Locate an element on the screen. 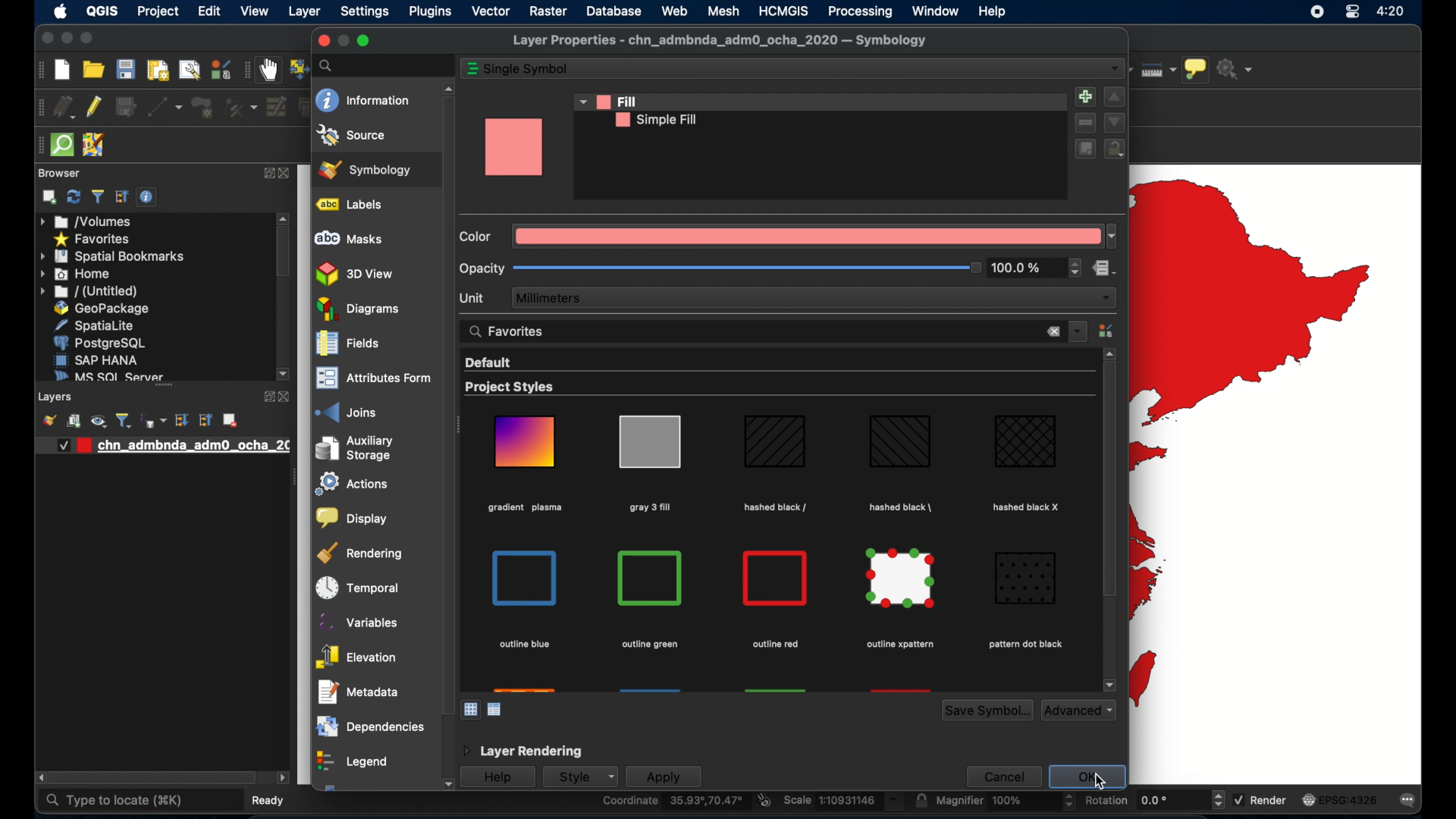 This screenshot has width=1456, height=819. layer is located at coordinates (306, 13).